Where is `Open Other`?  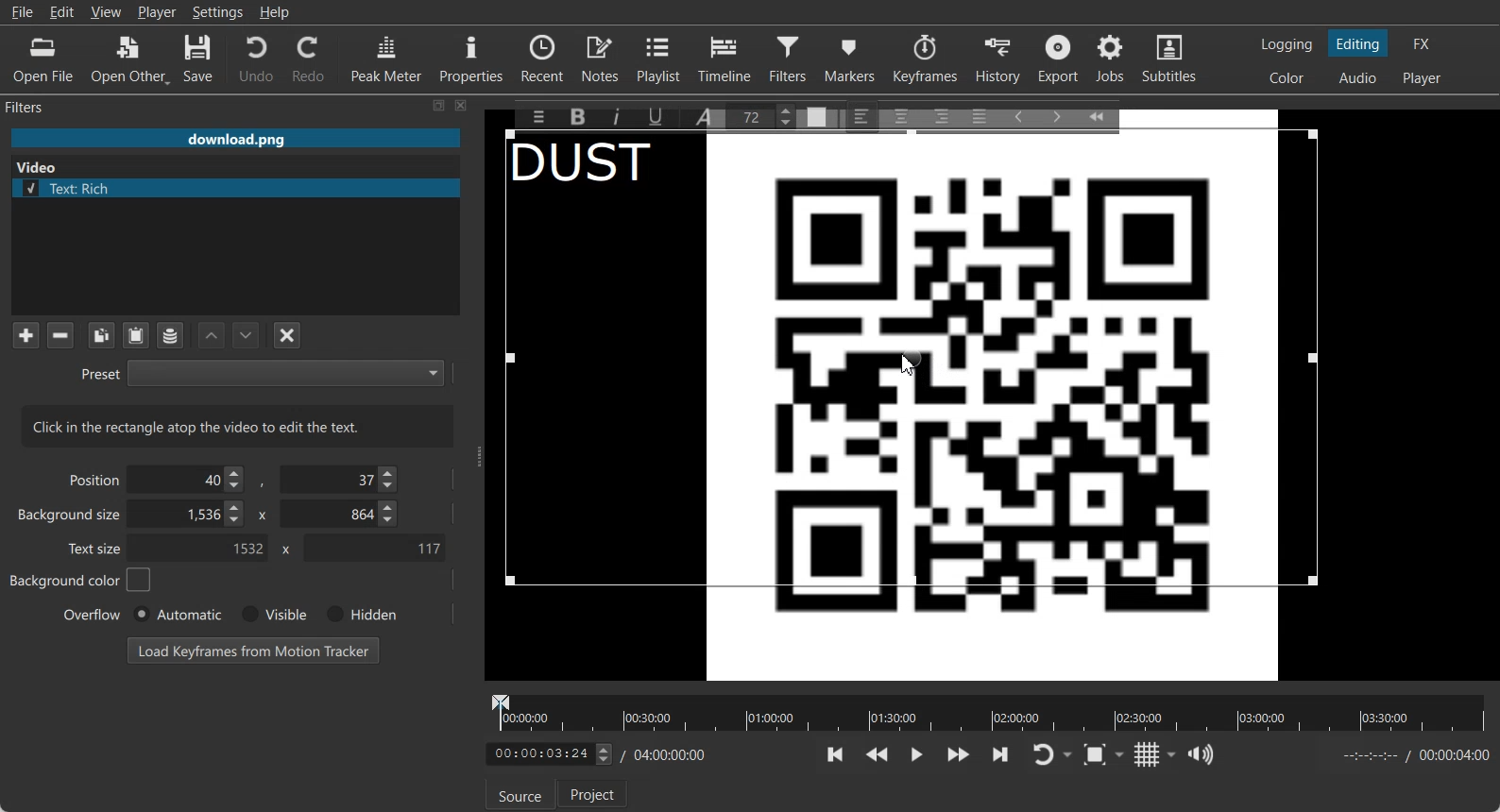 Open Other is located at coordinates (130, 59).